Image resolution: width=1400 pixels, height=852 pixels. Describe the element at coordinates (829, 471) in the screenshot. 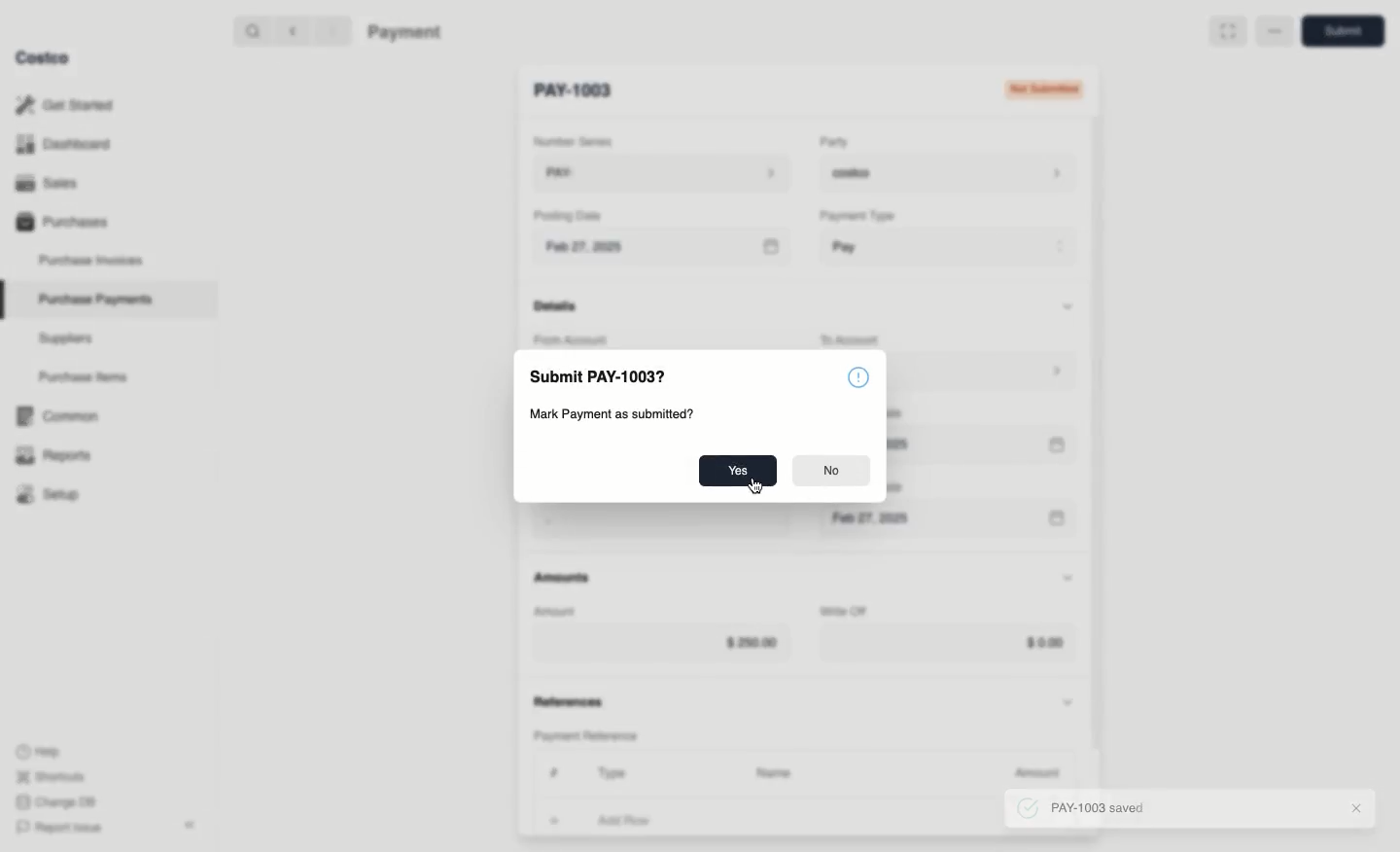

I see `No` at that location.